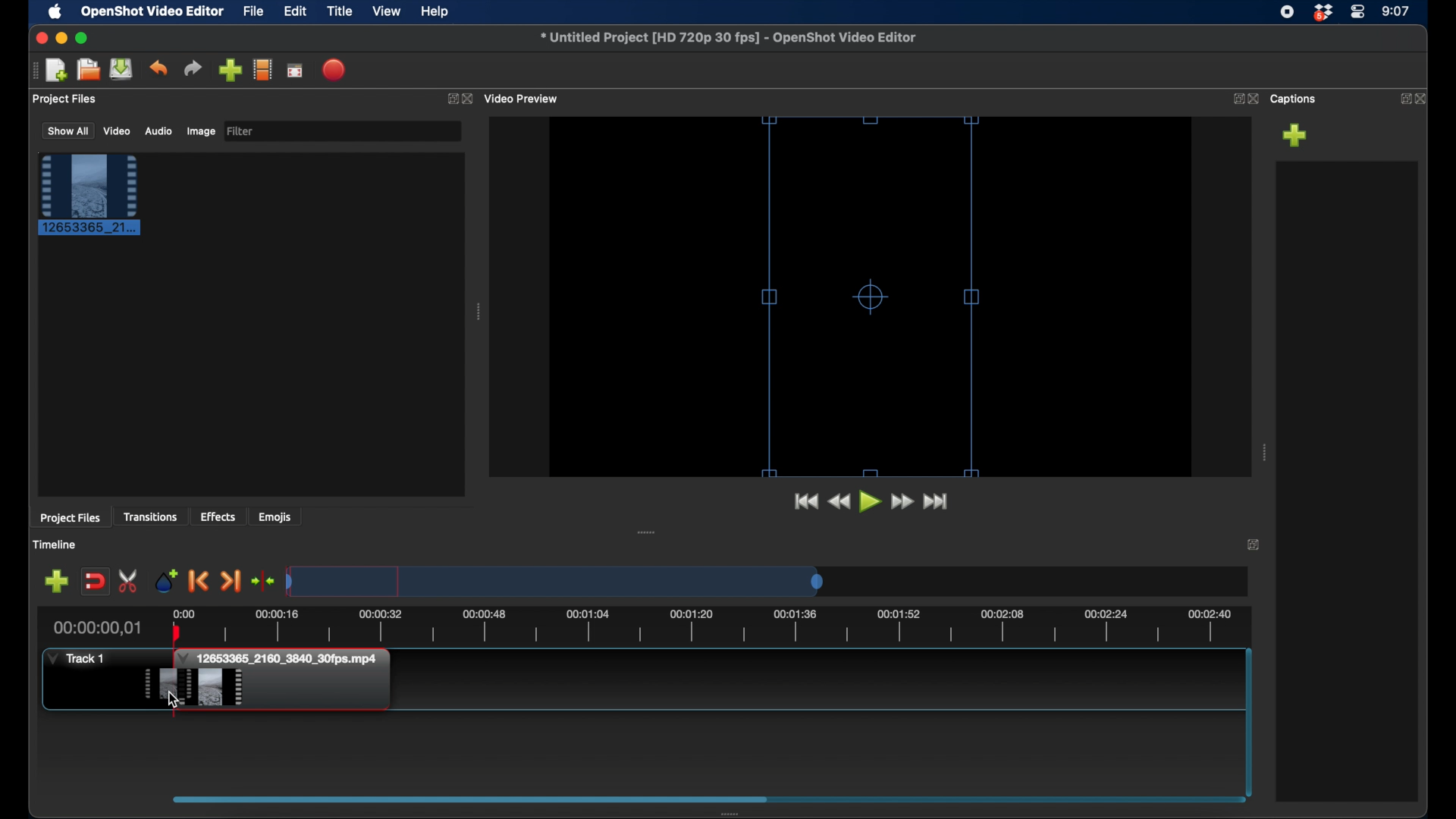 This screenshot has width=1456, height=819. Describe the element at coordinates (57, 544) in the screenshot. I see `timeline` at that location.